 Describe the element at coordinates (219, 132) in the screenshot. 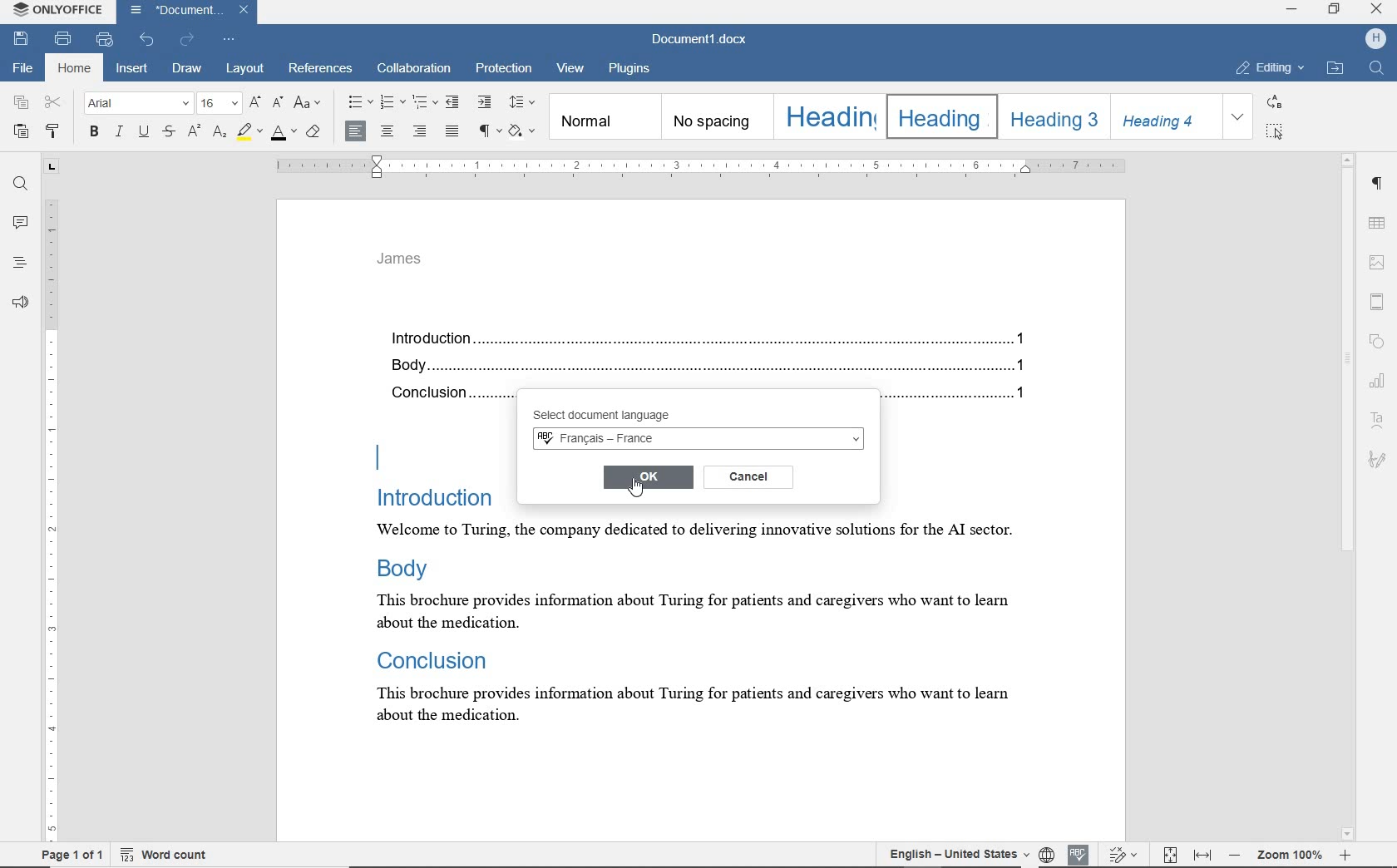

I see `subscript` at that location.